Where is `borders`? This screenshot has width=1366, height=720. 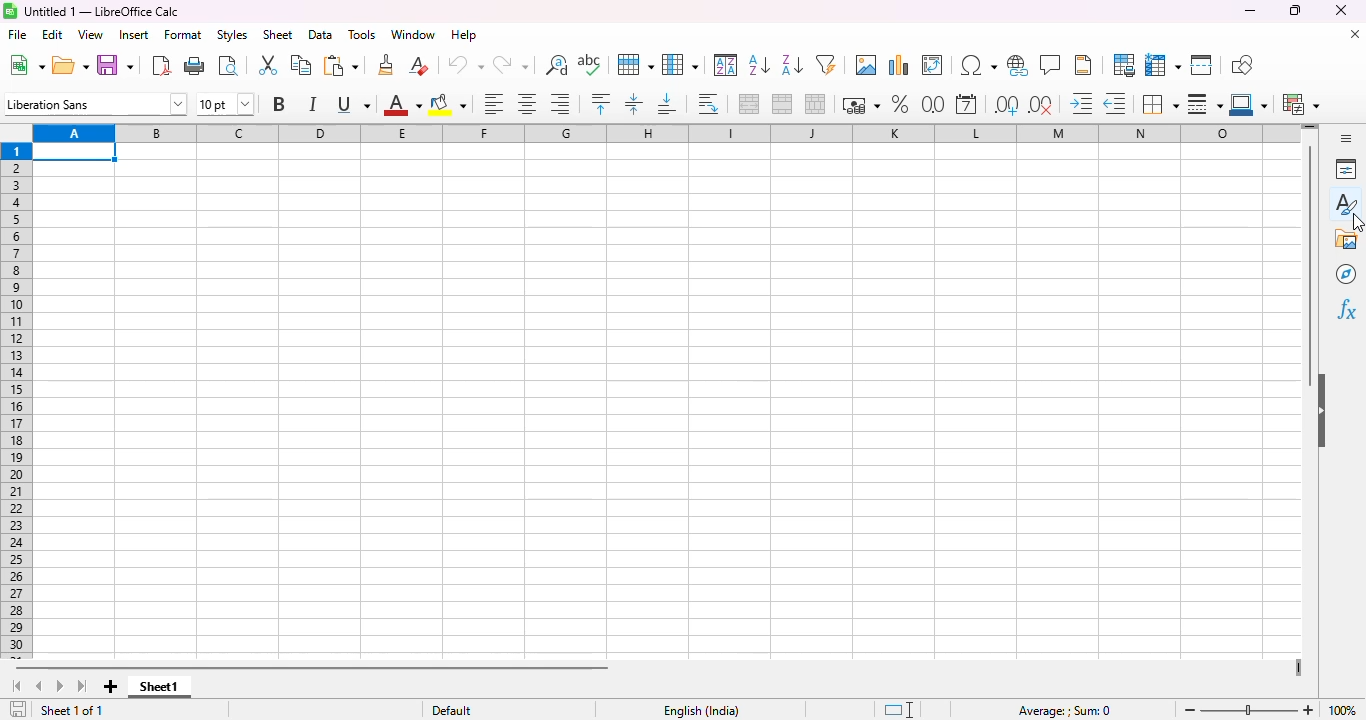
borders is located at coordinates (1159, 103).